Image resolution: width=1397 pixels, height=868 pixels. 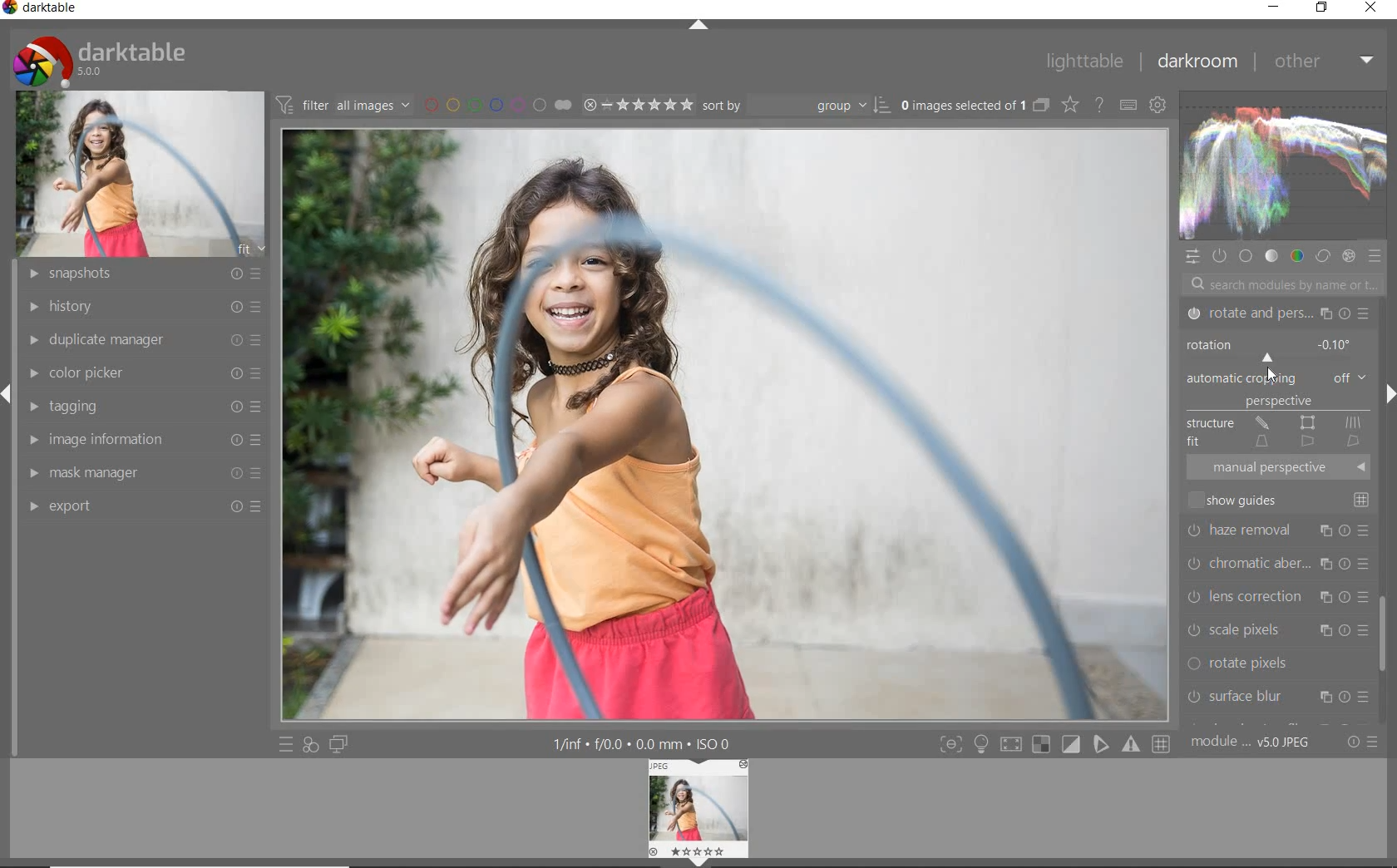 I want to click on mask manager, so click(x=142, y=474).